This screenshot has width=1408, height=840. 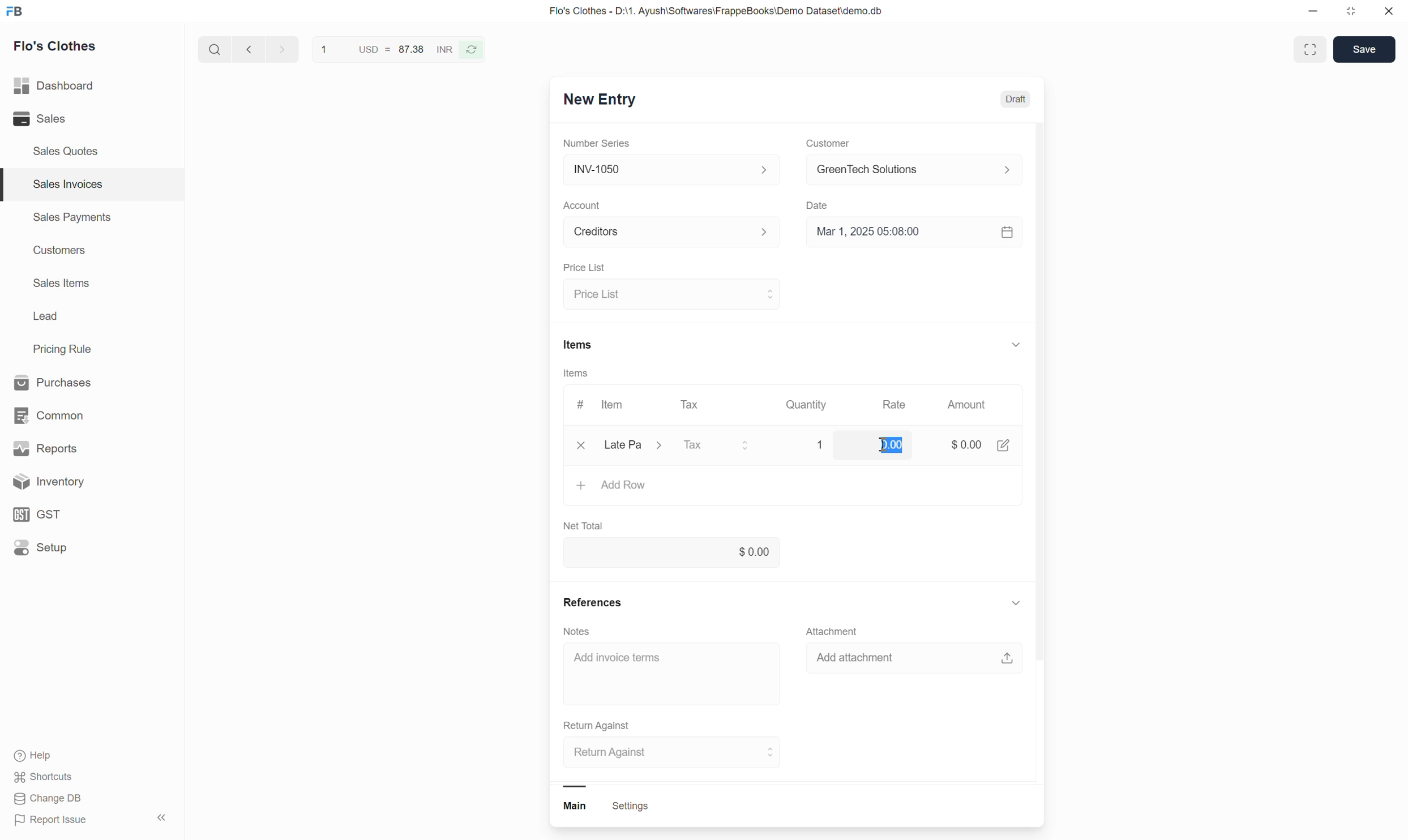 What do you see at coordinates (58, 252) in the screenshot?
I see `Customers` at bounding box center [58, 252].